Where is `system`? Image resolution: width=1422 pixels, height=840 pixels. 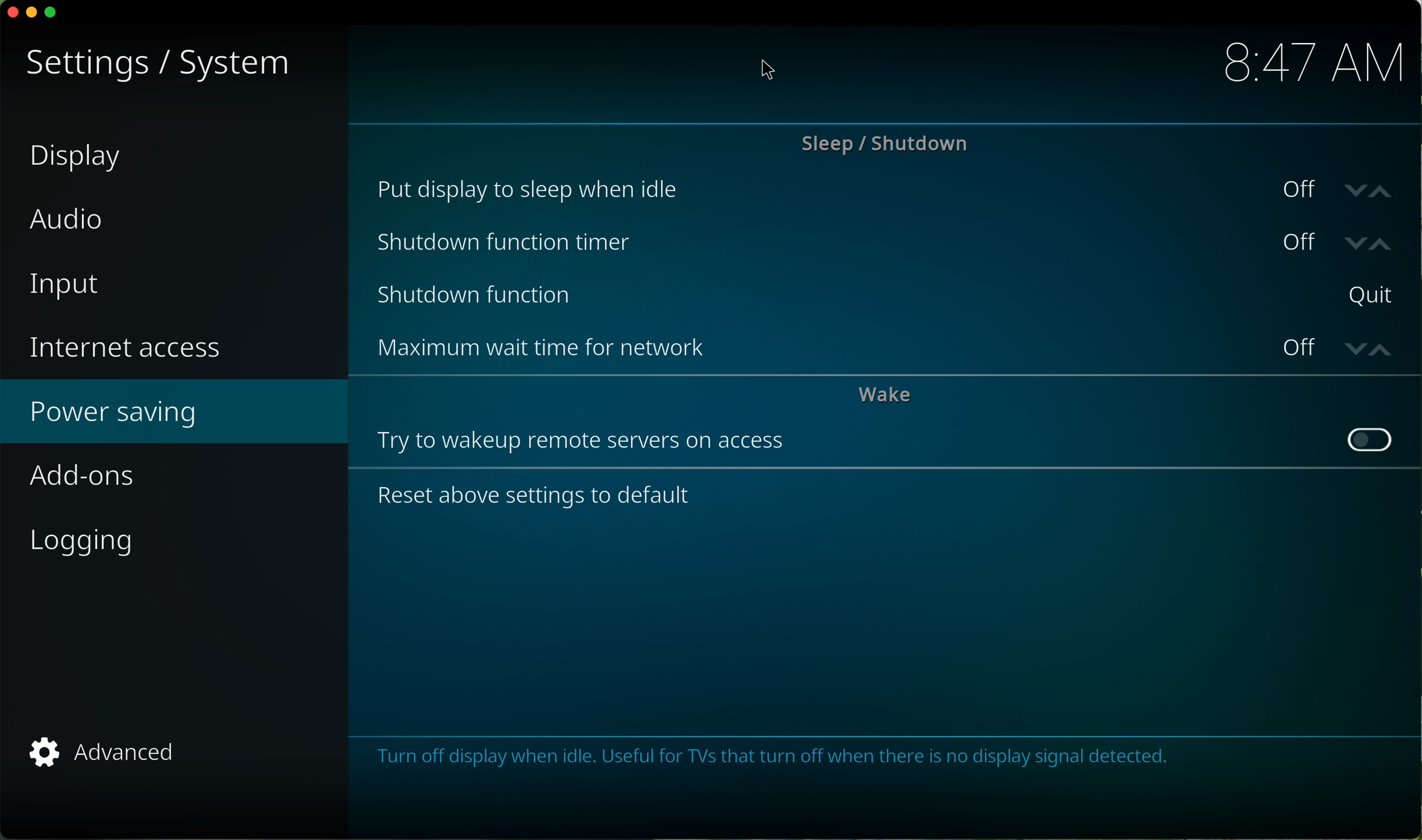
system is located at coordinates (234, 62).